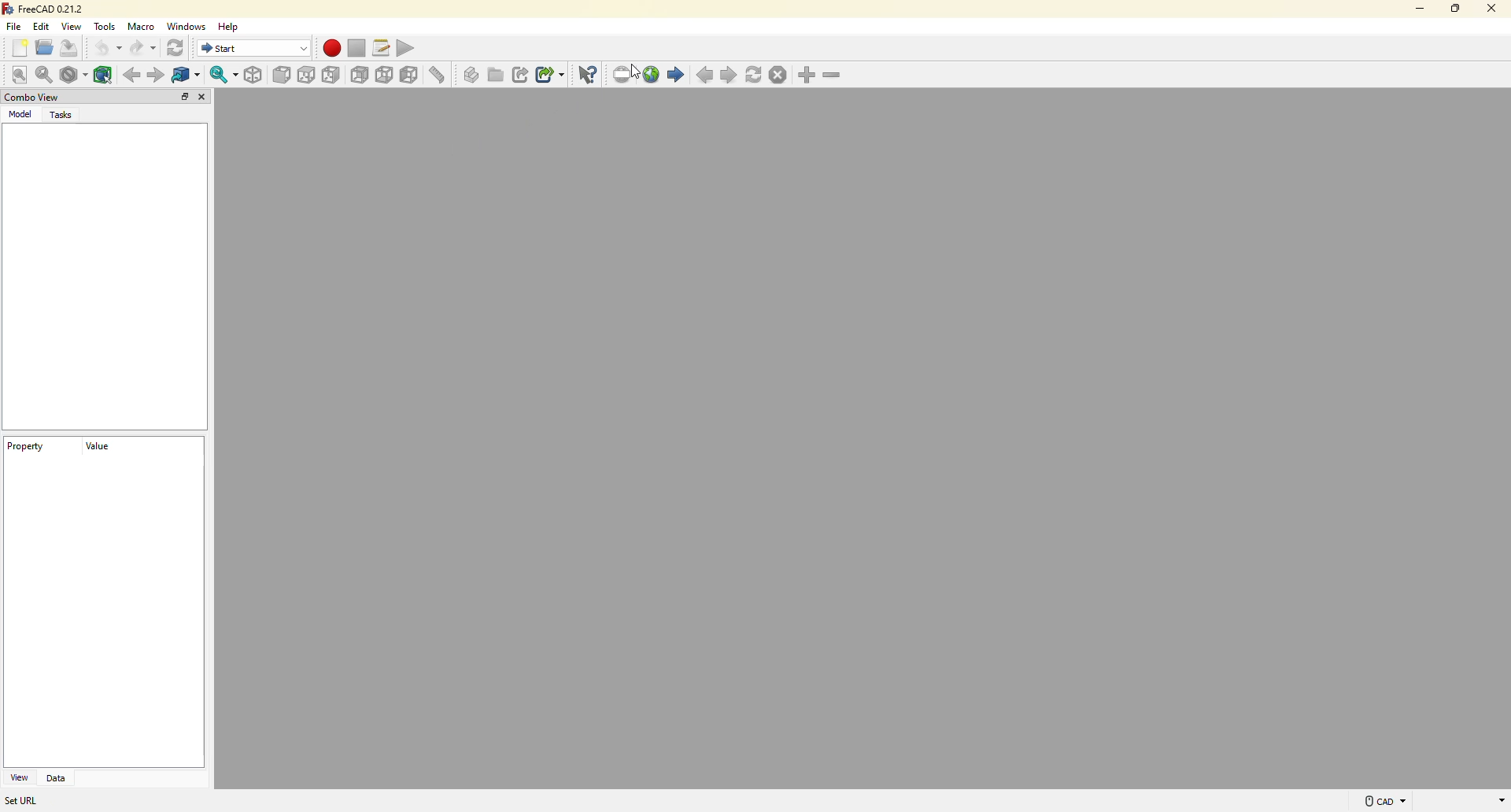 The height and width of the screenshot is (812, 1511). I want to click on fit selection, so click(46, 74).